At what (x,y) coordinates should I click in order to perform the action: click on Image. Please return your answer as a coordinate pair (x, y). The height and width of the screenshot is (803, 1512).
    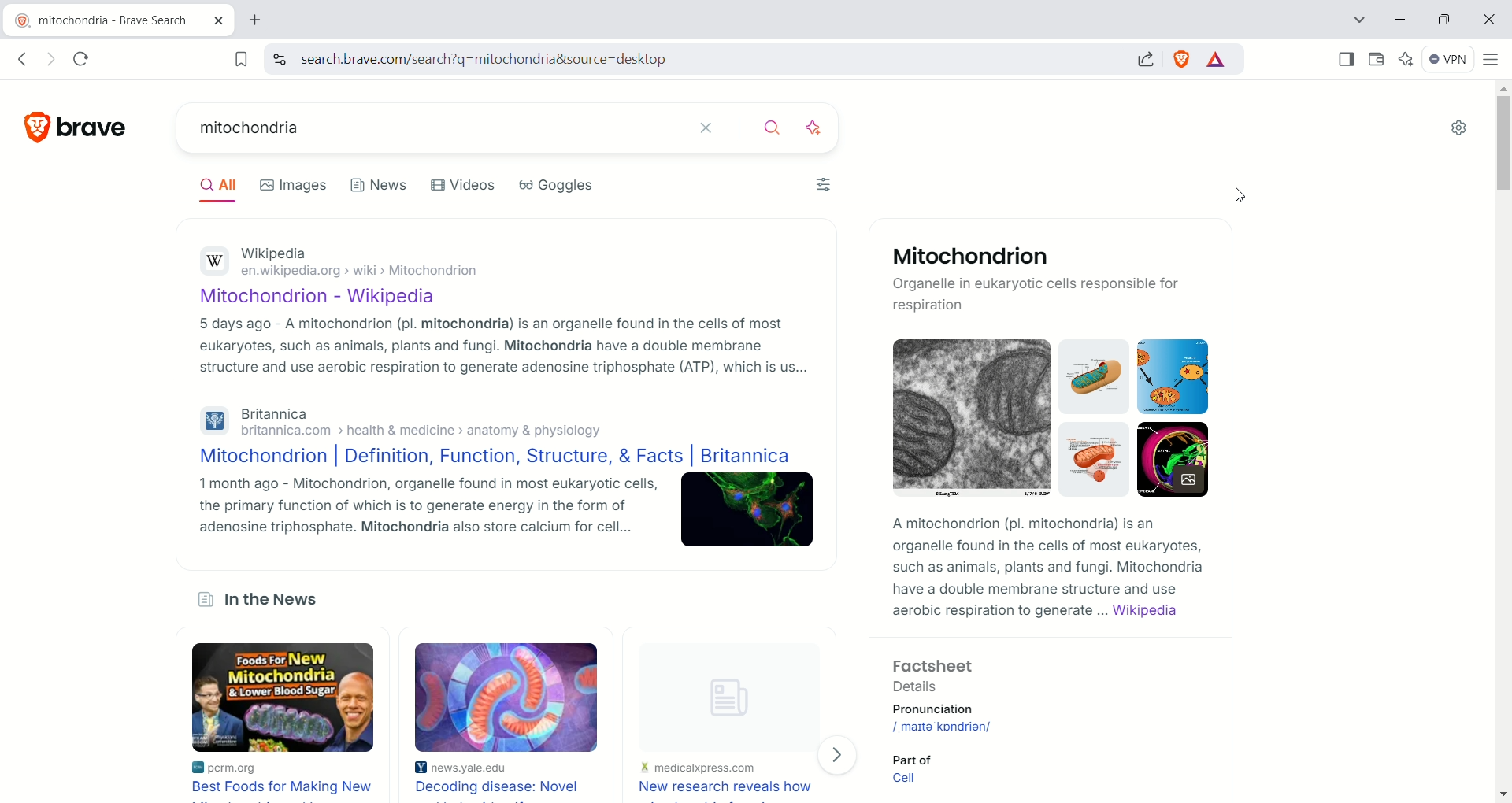
    Looking at the image, I should click on (505, 694).